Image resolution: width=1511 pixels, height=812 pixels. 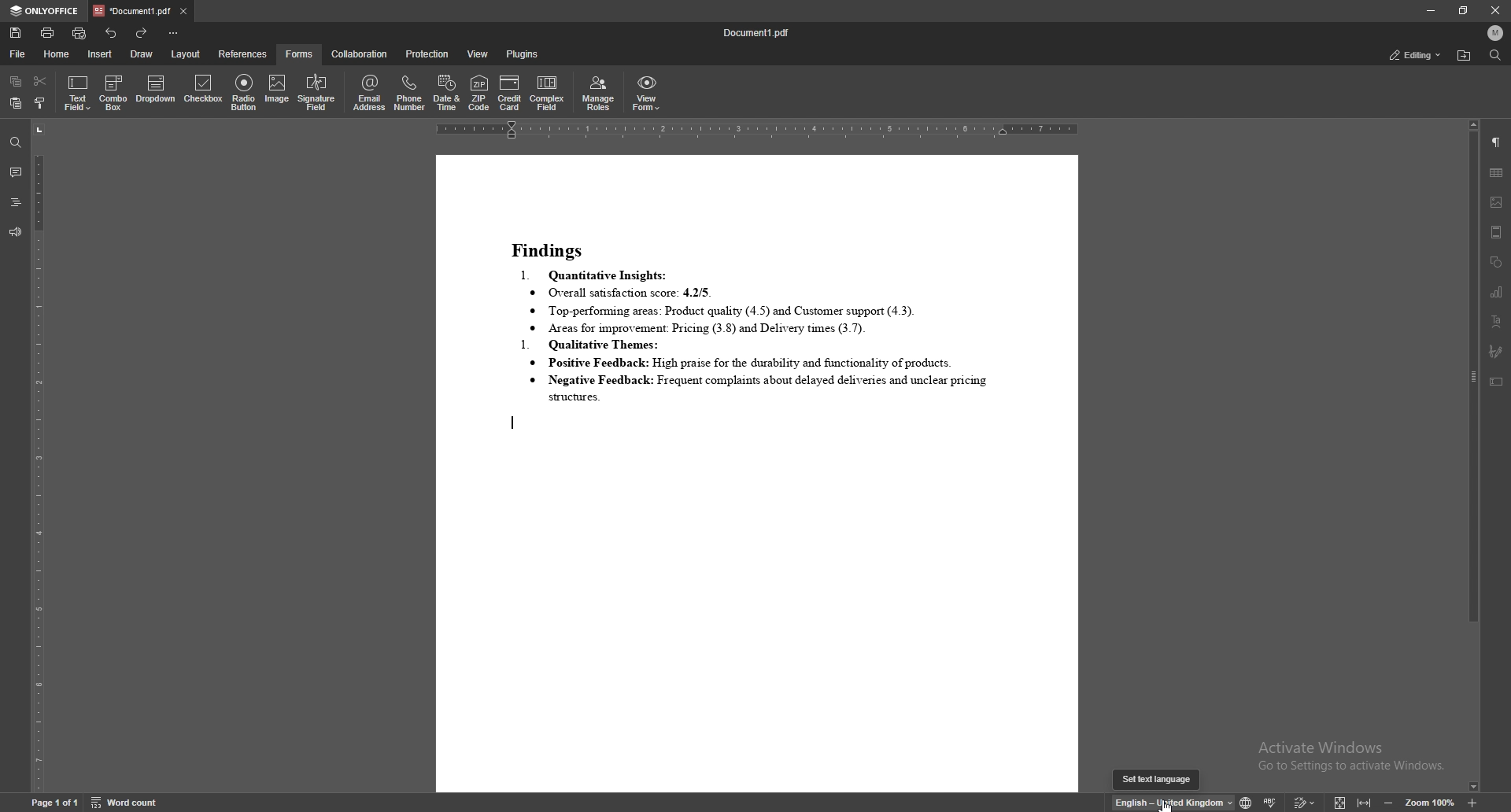 What do you see at coordinates (1495, 31) in the screenshot?
I see `profile` at bounding box center [1495, 31].